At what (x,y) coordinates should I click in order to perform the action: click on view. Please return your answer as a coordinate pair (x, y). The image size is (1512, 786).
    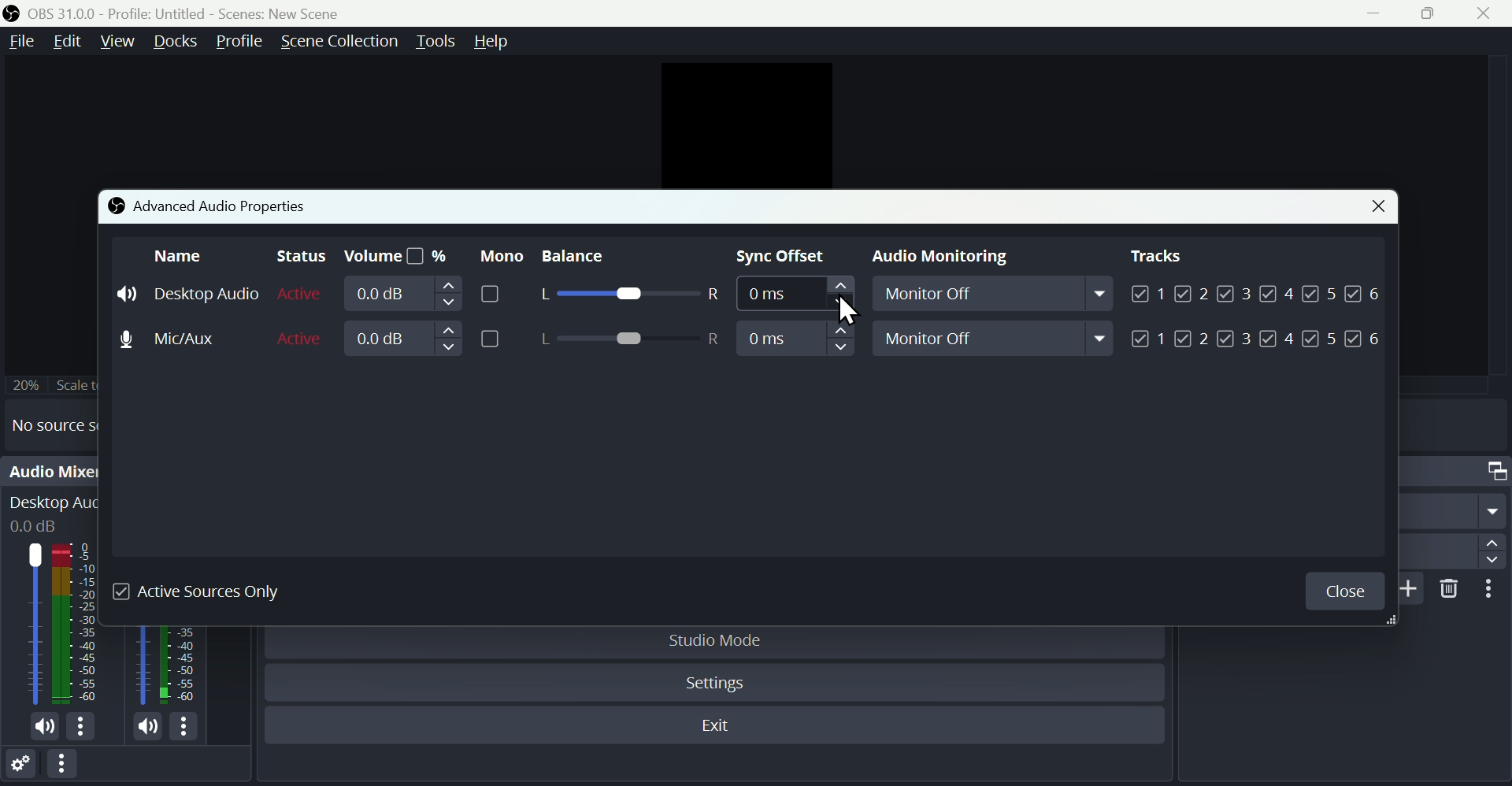
    Looking at the image, I should click on (117, 40).